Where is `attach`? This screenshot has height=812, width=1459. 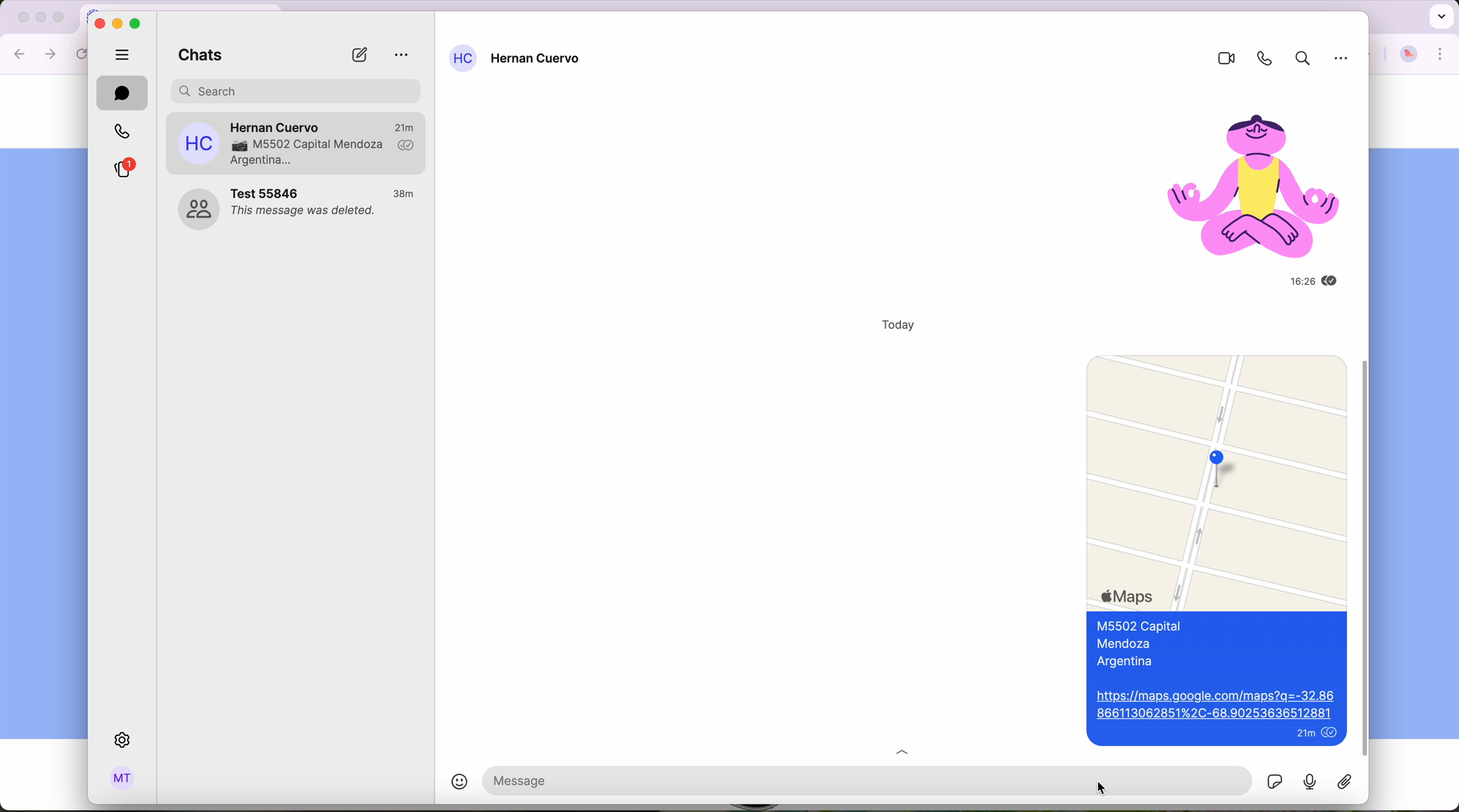 attach is located at coordinates (1349, 782).